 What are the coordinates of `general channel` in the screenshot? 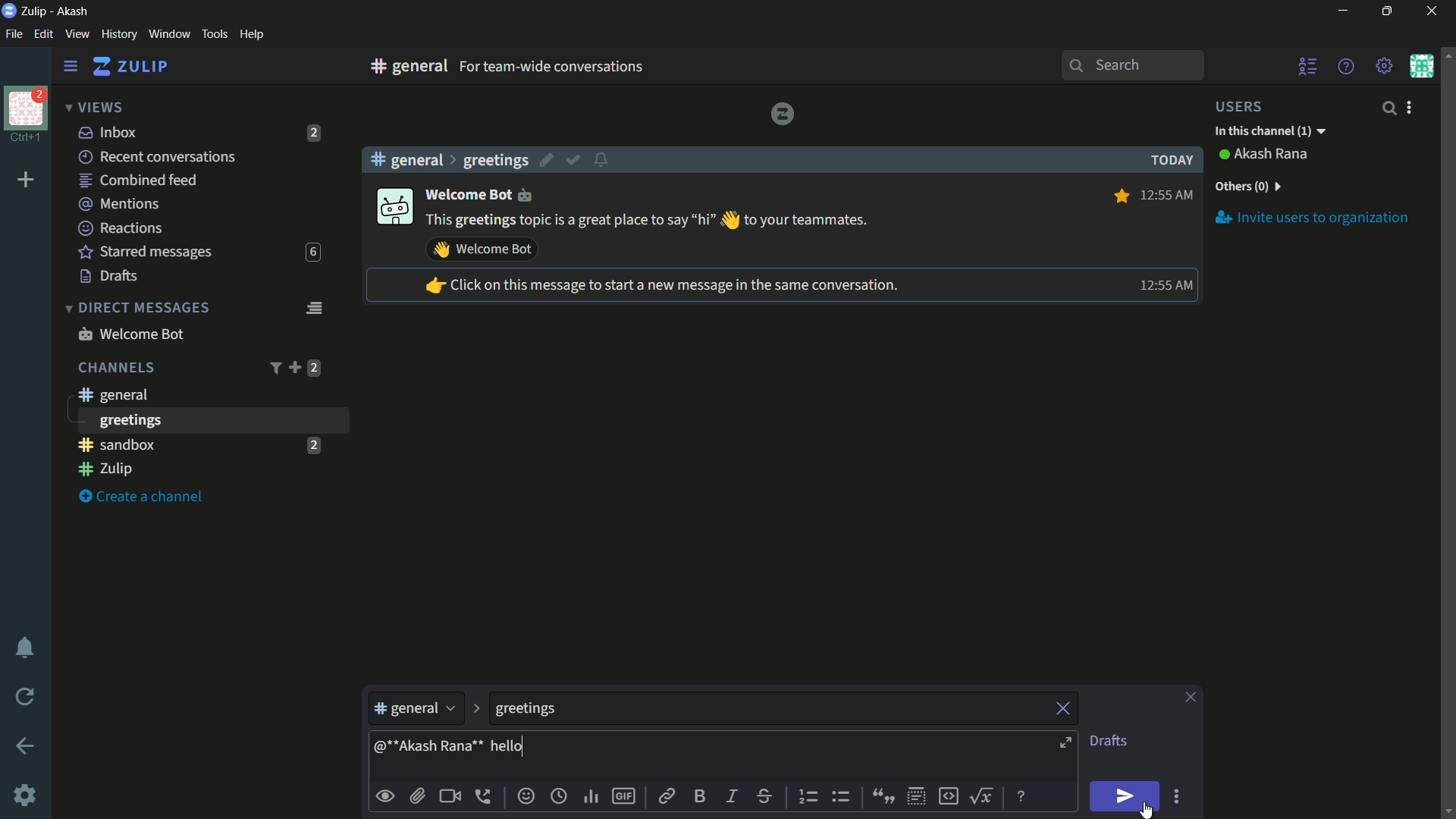 It's located at (416, 712).